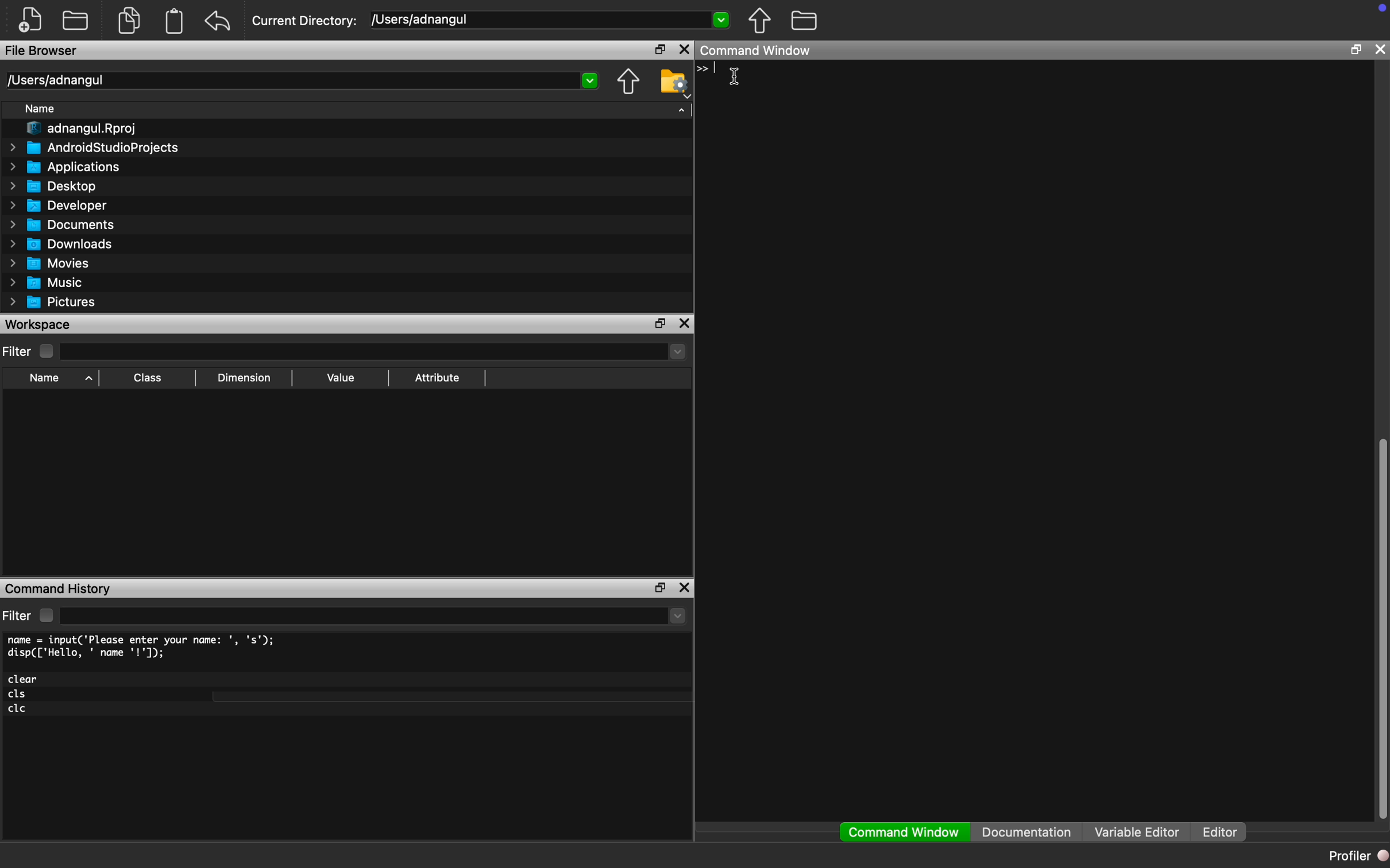  What do you see at coordinates (218, 21) in the screenshot?
I see `back` at bounding box center [218, 21].